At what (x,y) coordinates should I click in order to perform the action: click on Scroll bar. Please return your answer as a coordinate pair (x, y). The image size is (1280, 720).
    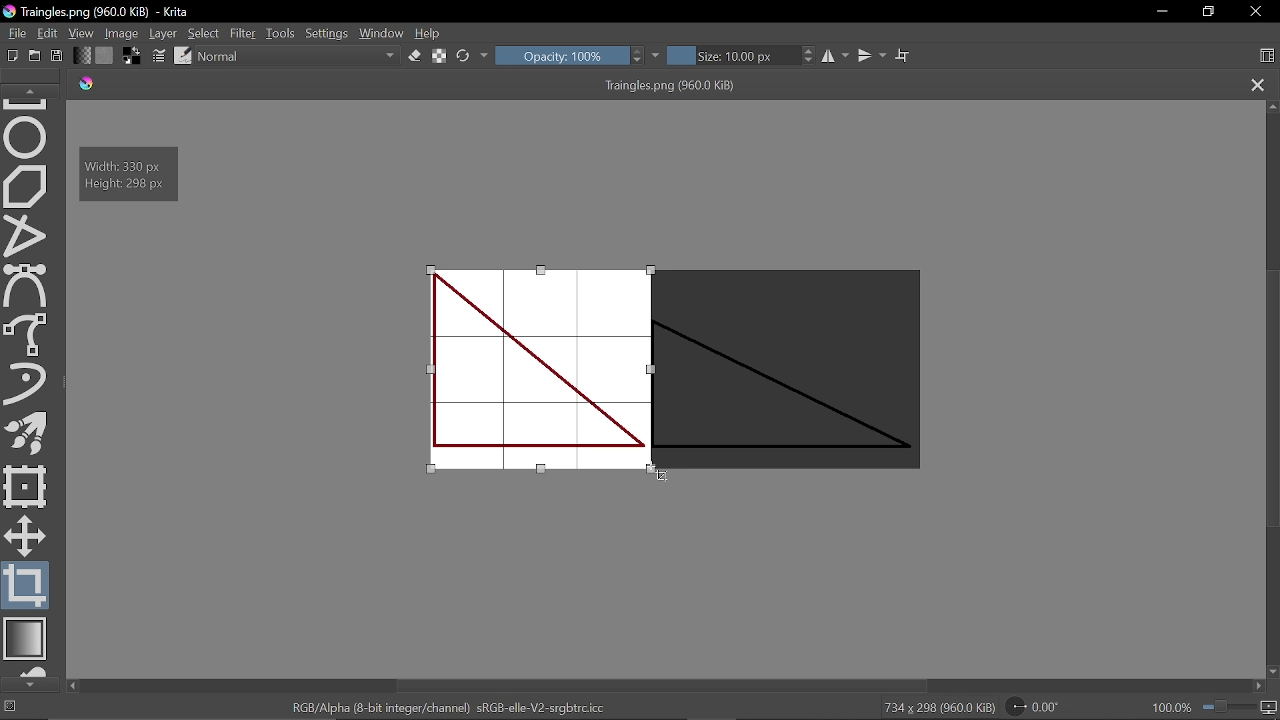
    Looking at the image, I should click on (1271, 401).